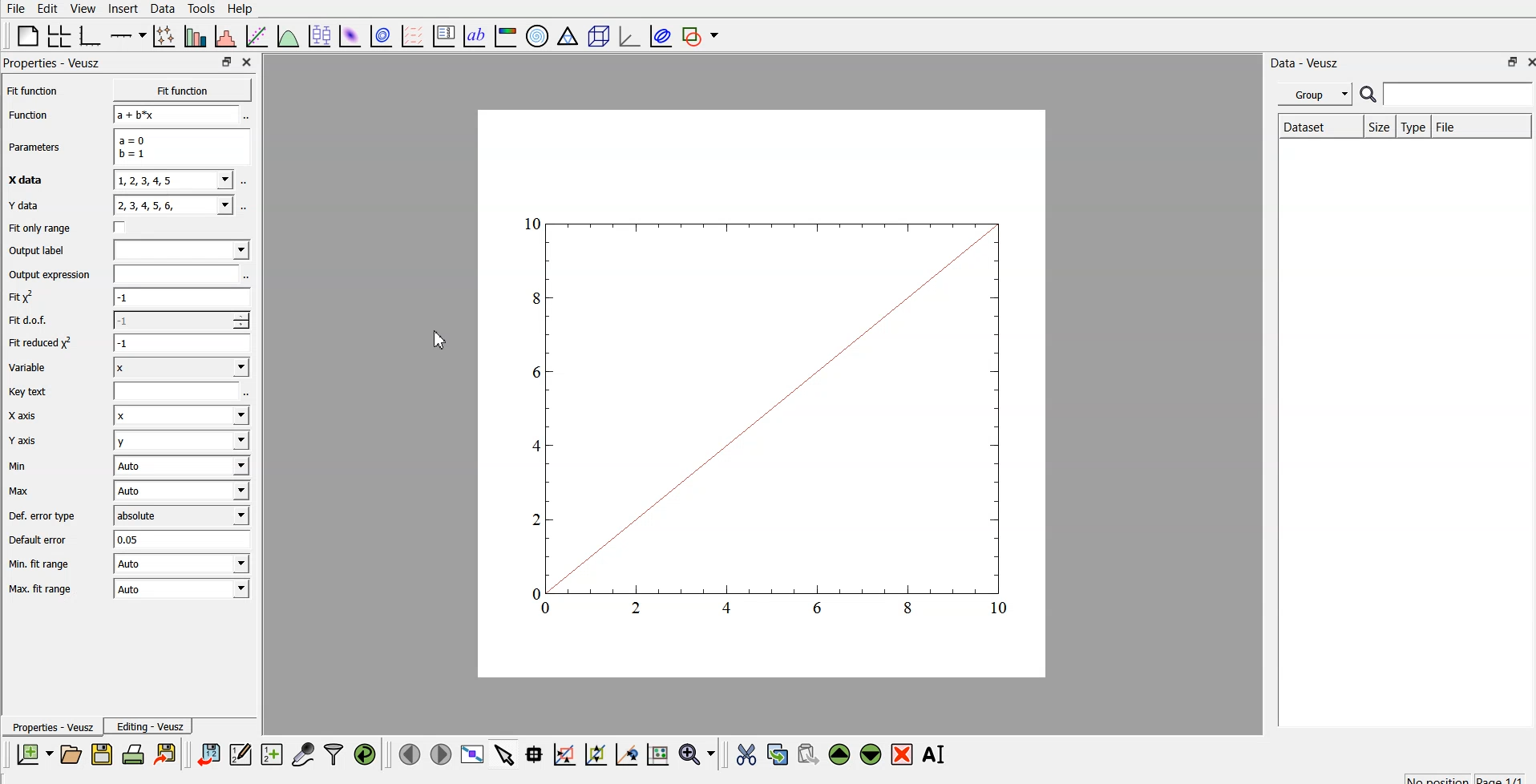 Image resolution: width=1536 pixels, height=784 pixels. What do you see at coordinates (1320, 126) in the screenshot?
I see ` Dataset` at bounding box center [1320, 126].